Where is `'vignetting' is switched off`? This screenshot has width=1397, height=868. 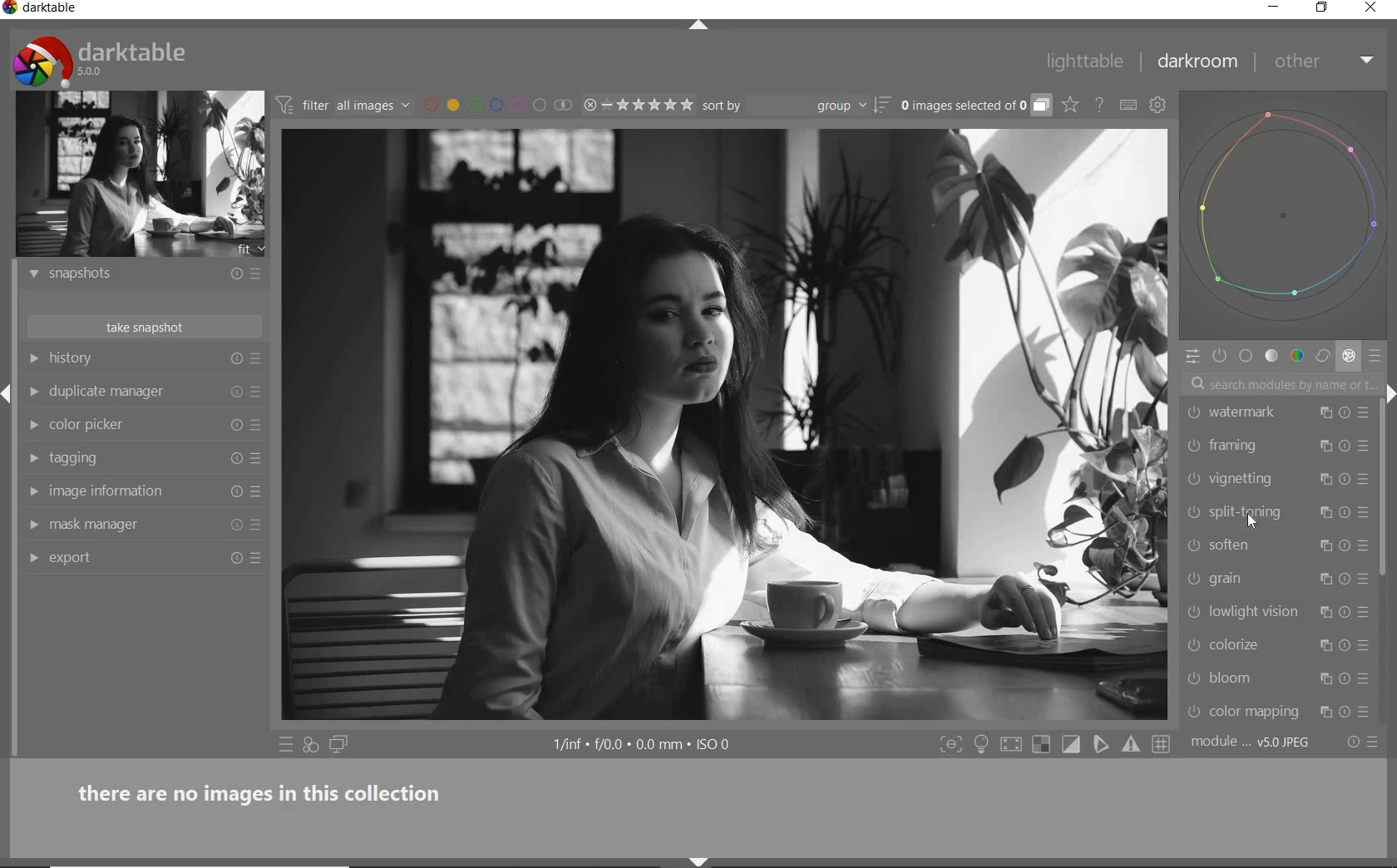 'vignetting' is switched off is located at coordinates (1193, 478).